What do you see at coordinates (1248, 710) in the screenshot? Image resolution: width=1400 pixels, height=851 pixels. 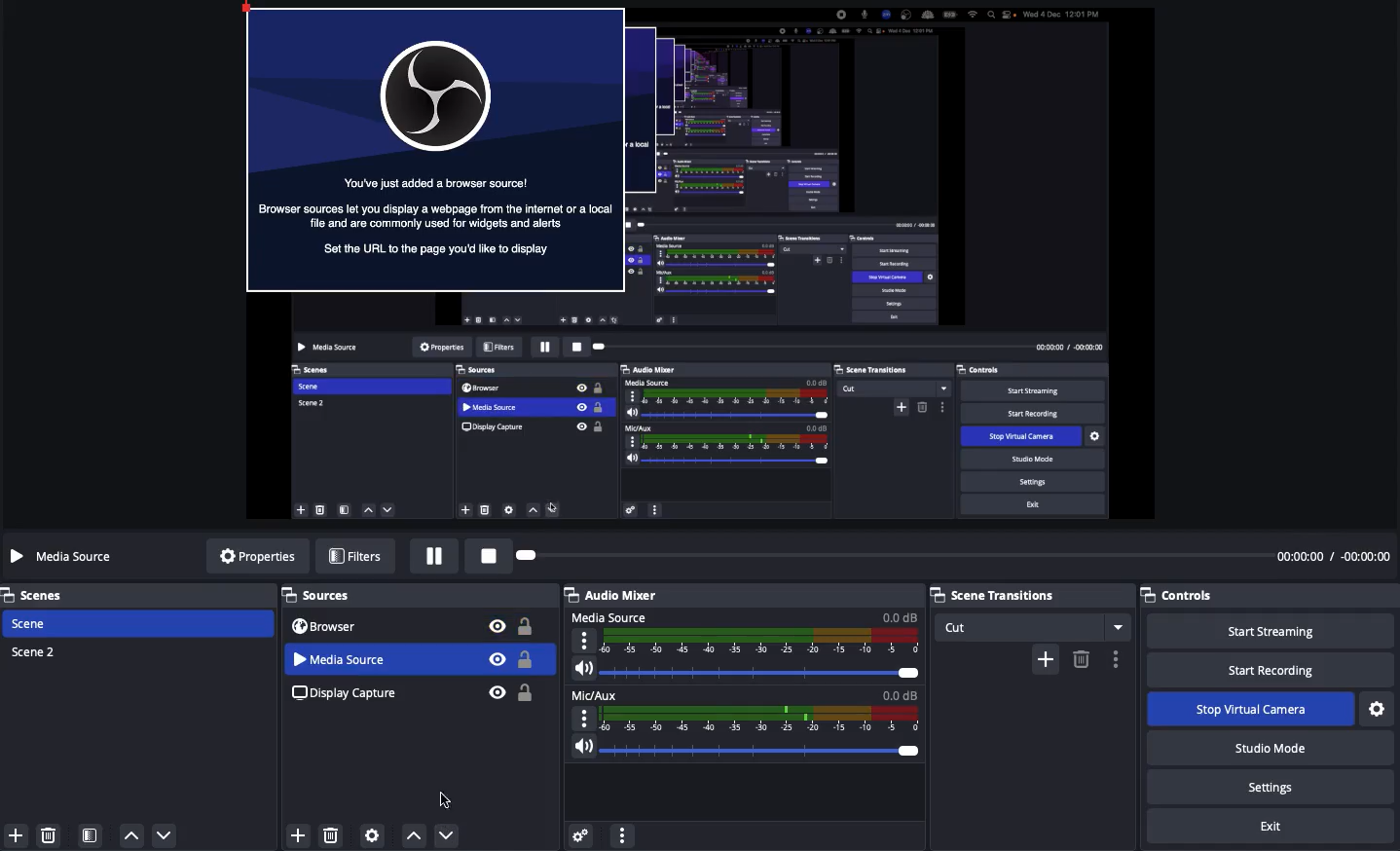 I see `Stop virtual camera` at bounding box center [1248, 710].